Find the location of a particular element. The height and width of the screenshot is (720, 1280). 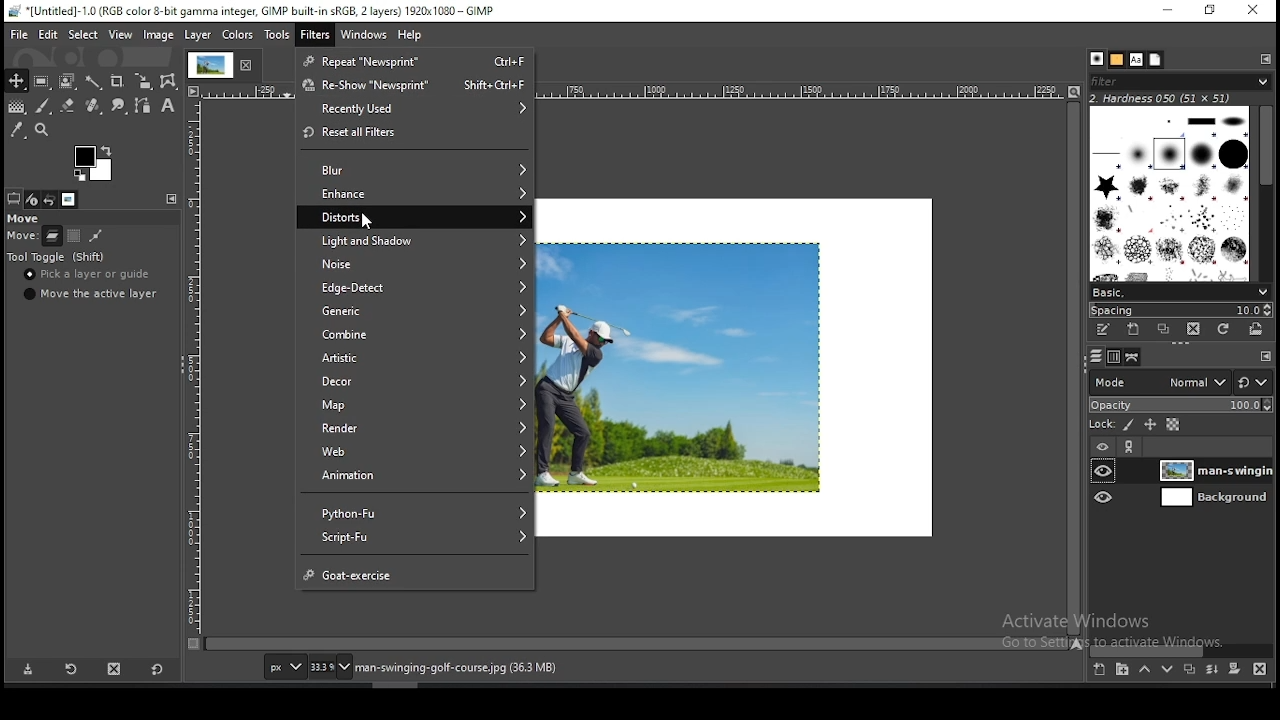

patterns is located at coordinates (1117, 59).